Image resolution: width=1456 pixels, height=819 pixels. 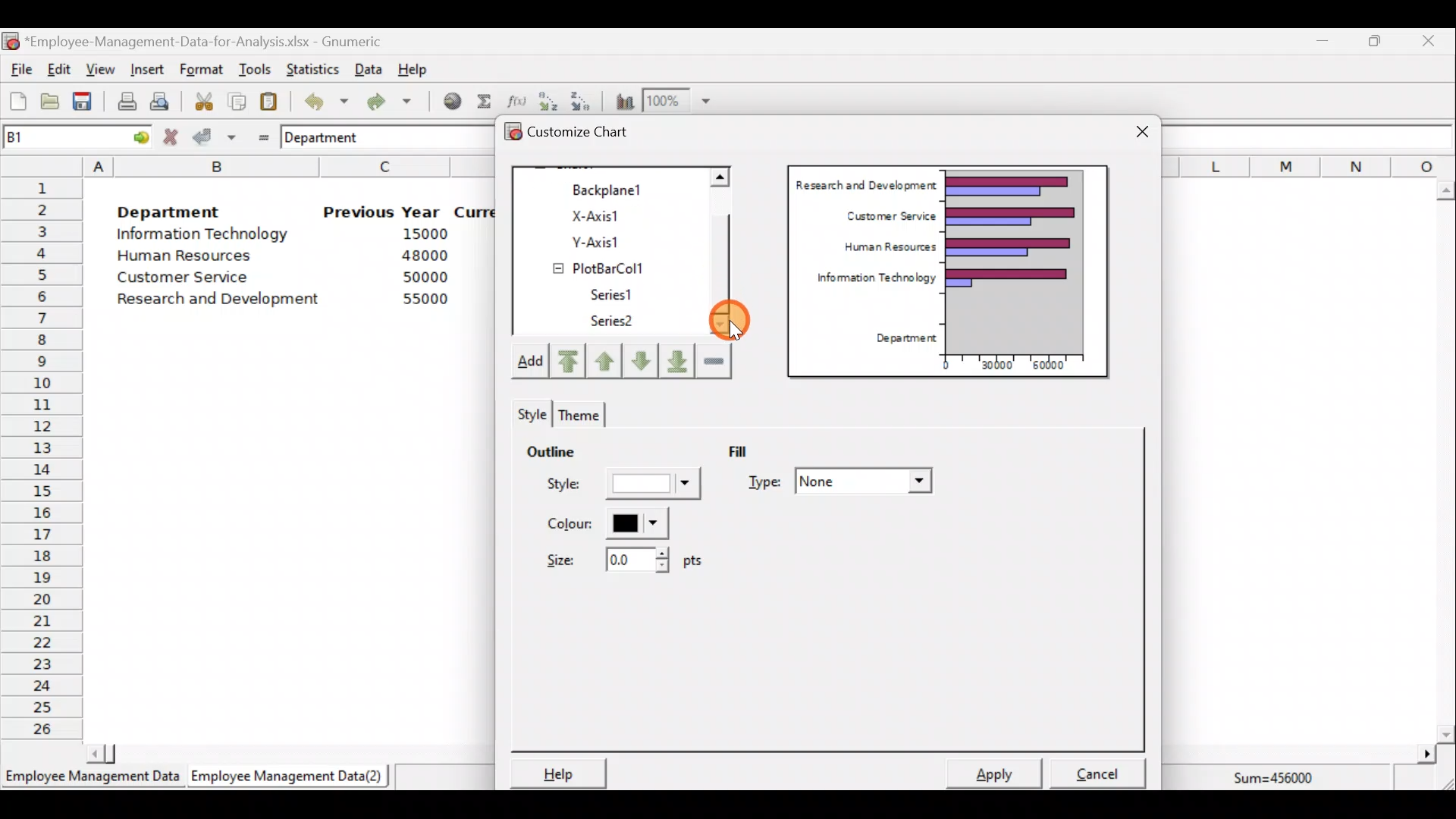 What do you see at coordinates (946, 365) in the screenshot?
I see `0` at bounding box center [946, 365].